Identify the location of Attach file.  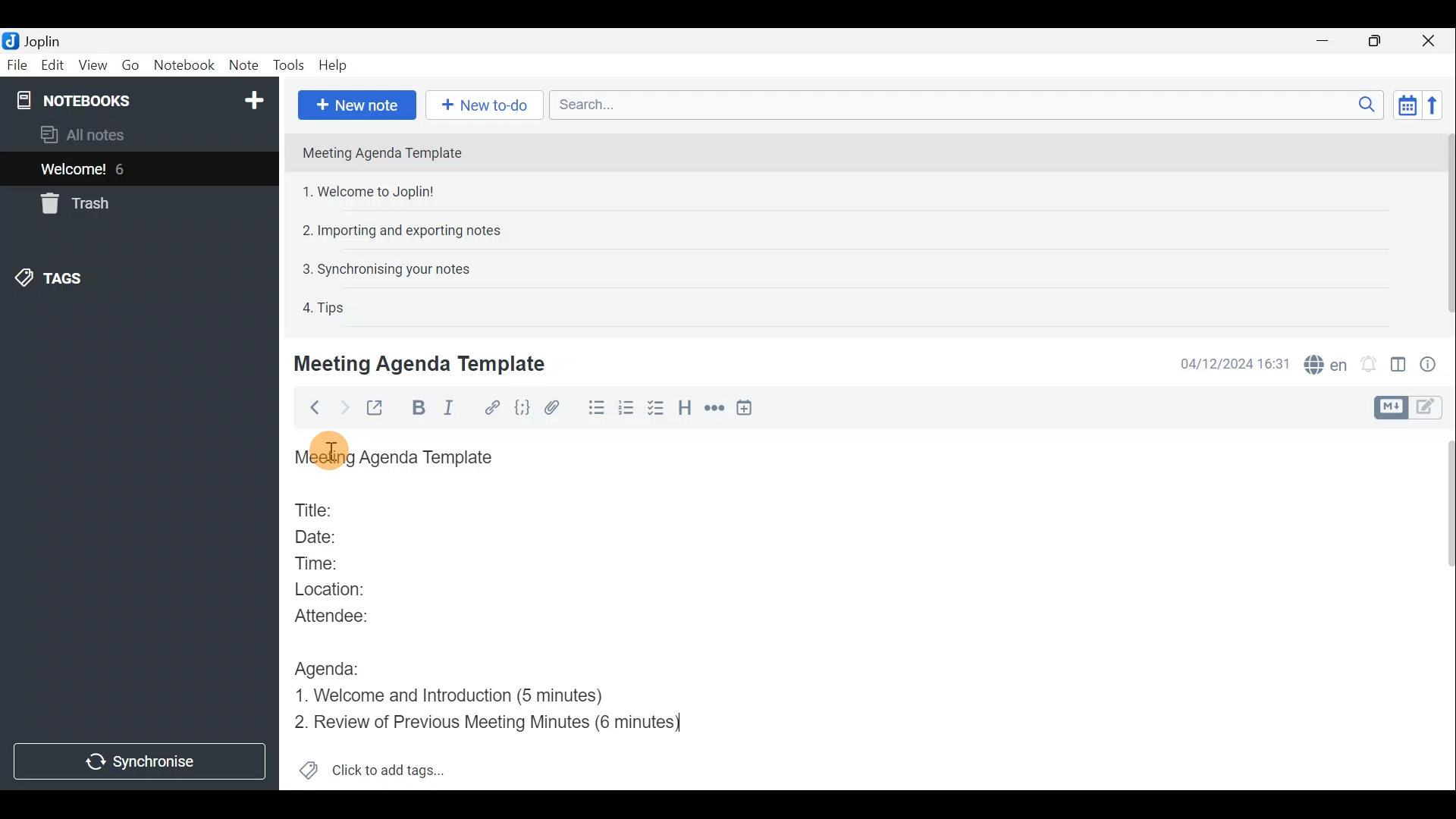
(559, 408).